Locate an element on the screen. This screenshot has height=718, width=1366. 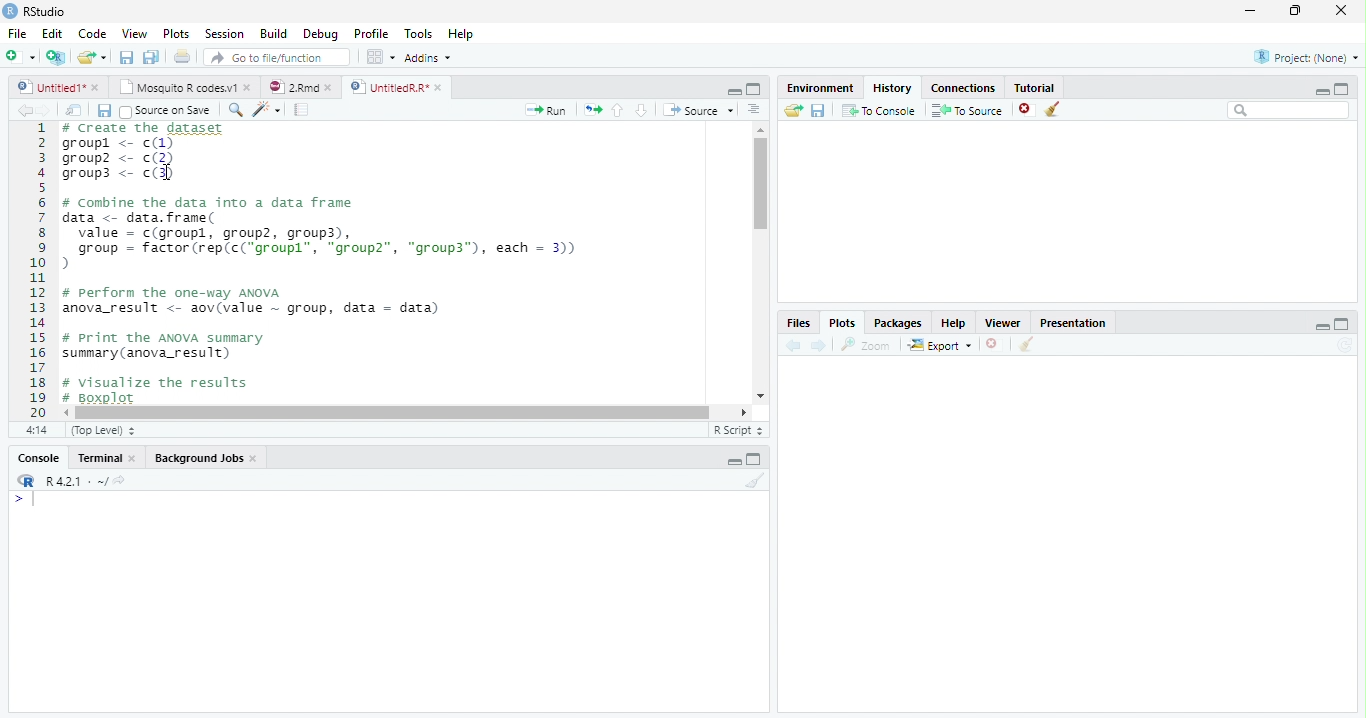
Rstudio is located at coordinates (33, 9).